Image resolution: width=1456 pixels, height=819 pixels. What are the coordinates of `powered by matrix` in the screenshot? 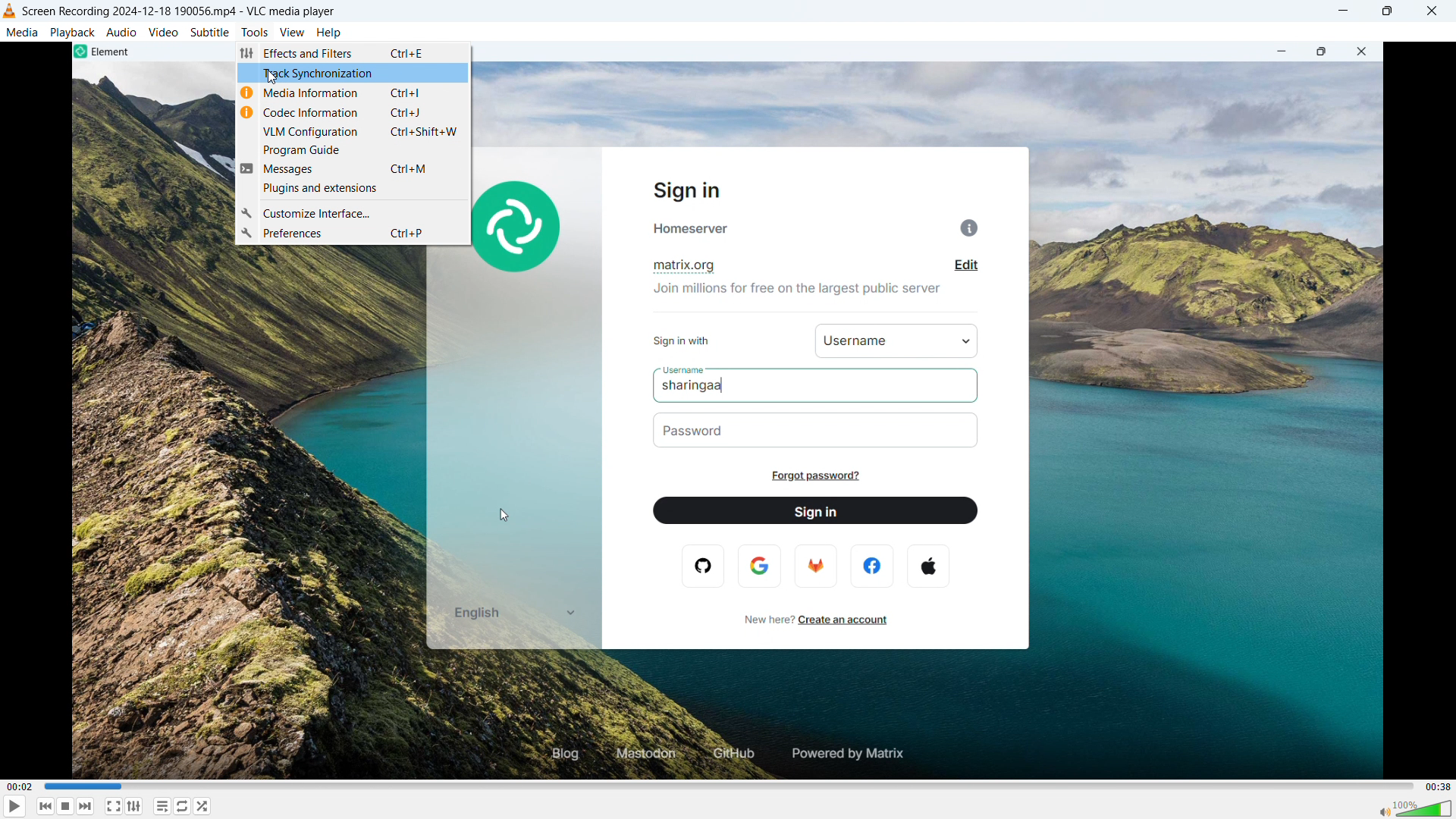 It's located at (847, 753).